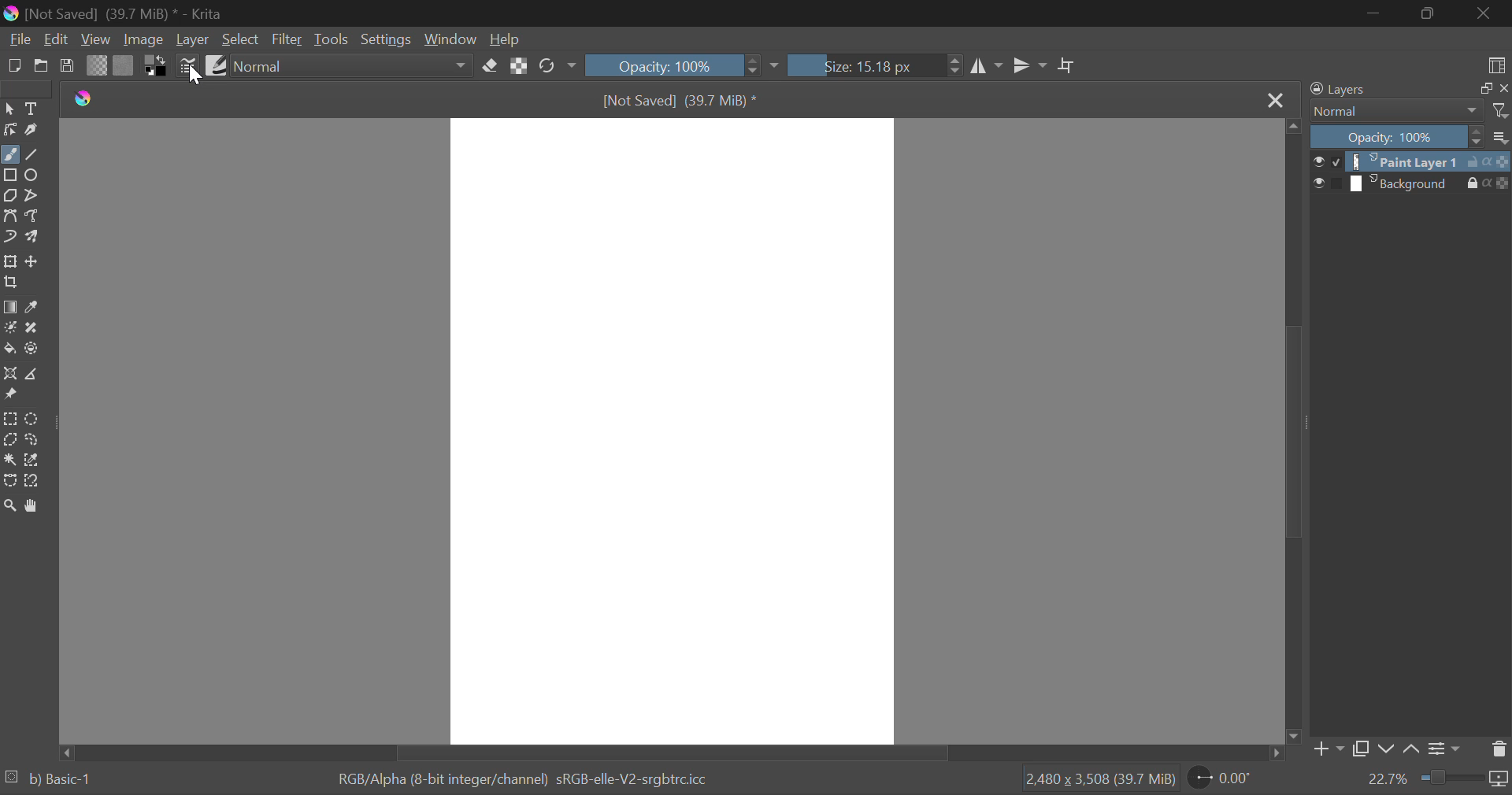 Image resolution: width=1512 pixels, height=795 pixels. I want to click on Polyline, so click(35, 195).